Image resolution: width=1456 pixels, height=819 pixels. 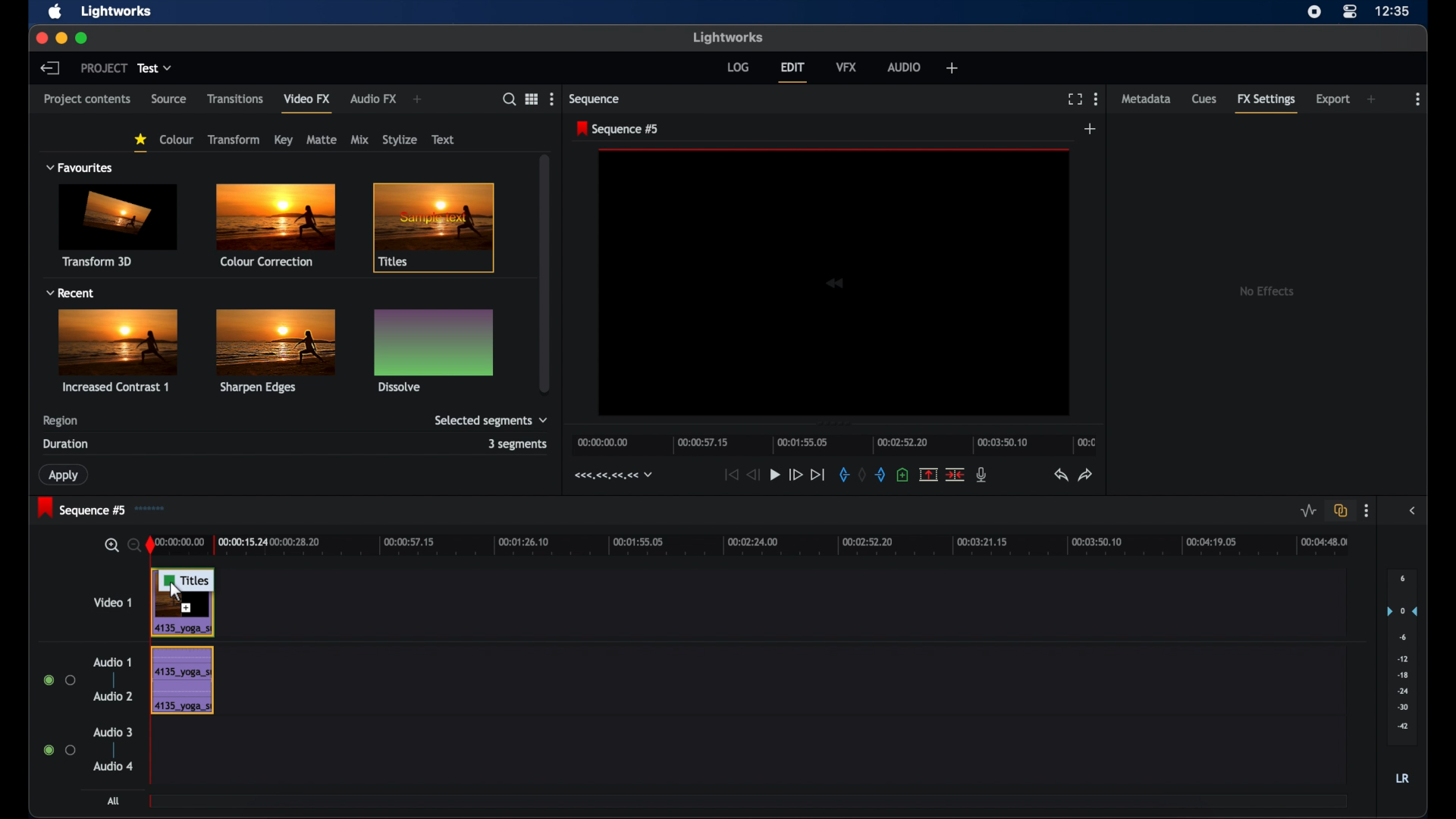 What do you see at coordinates (952, 68) in the screenshot?
I see `add` at bounding box center [952, 68].